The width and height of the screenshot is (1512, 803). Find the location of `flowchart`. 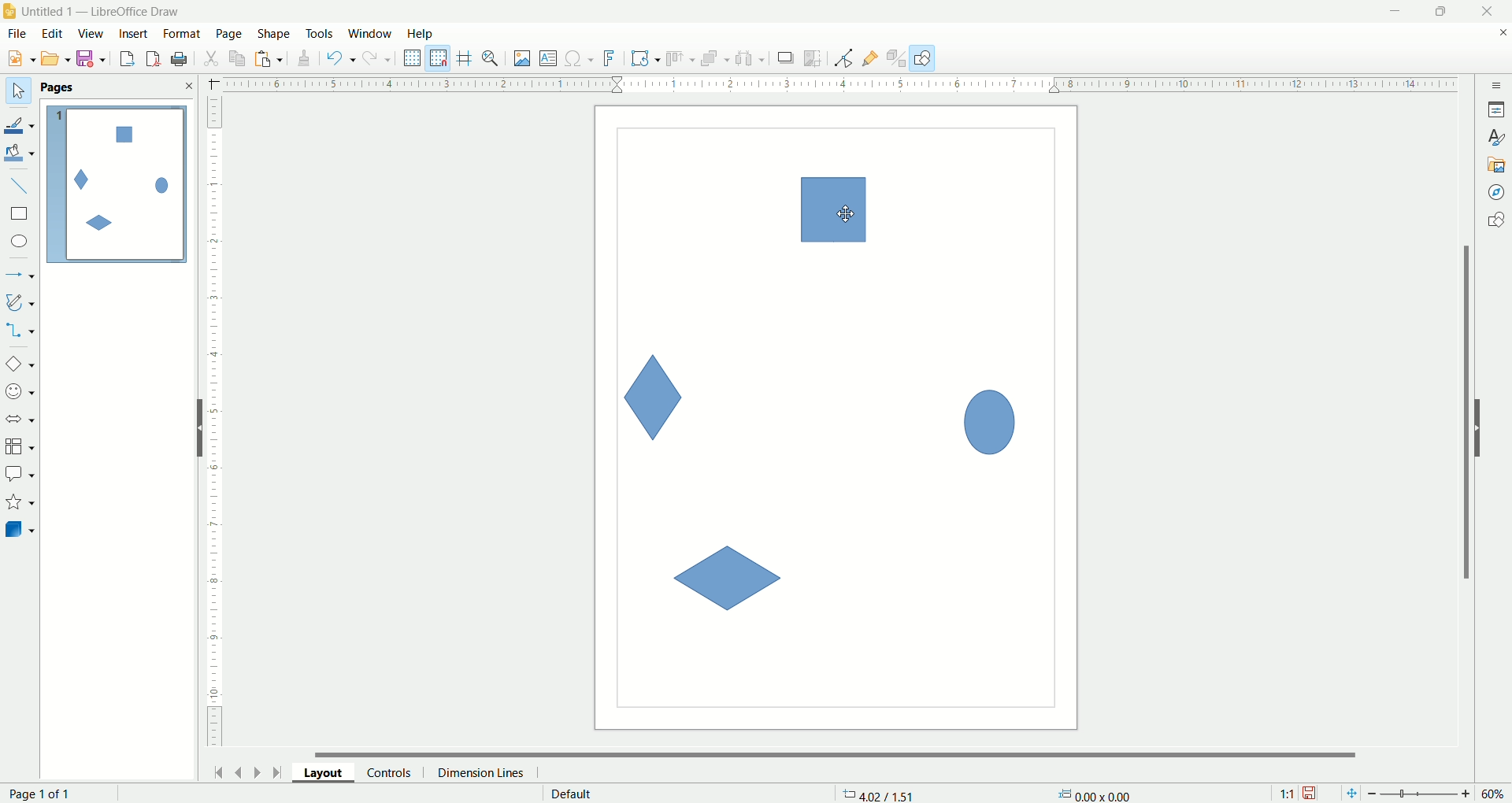

flowchart is located at coordinates (20, 447).